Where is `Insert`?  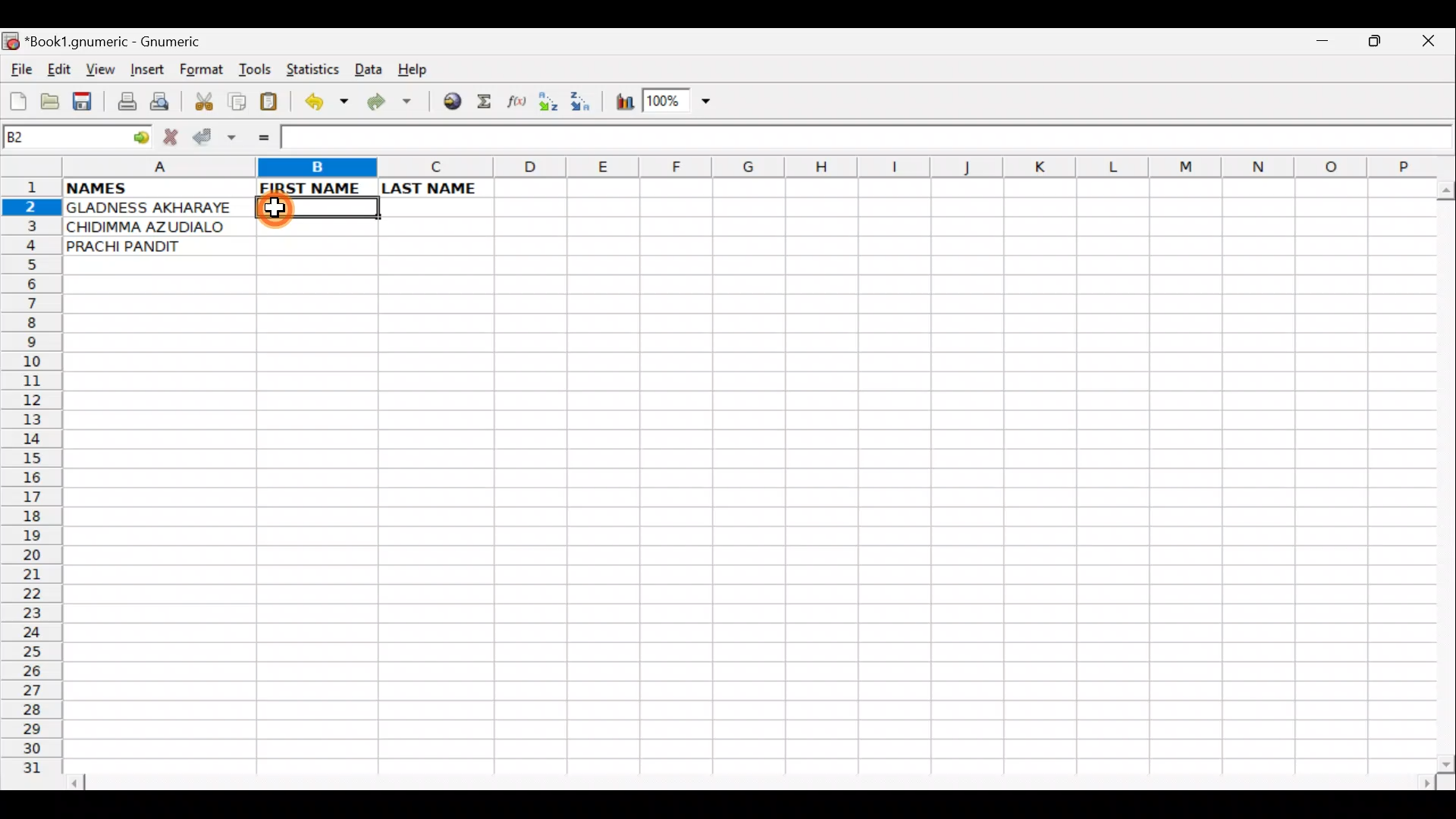
Insert is located at coordinates (146, 70).